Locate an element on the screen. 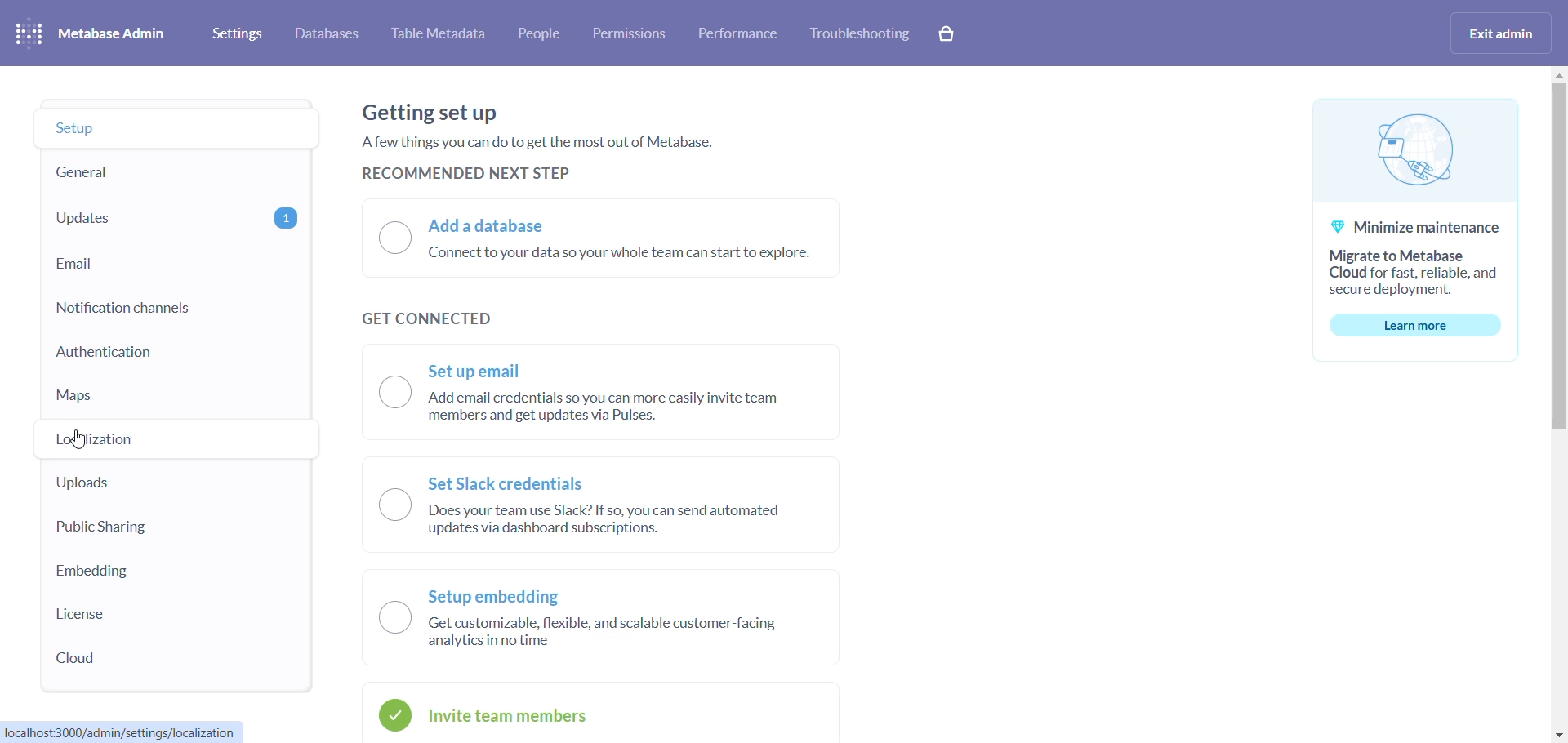 The height and width of the screenshot is (743, 1568). updates is located at coordinates (171, 215).